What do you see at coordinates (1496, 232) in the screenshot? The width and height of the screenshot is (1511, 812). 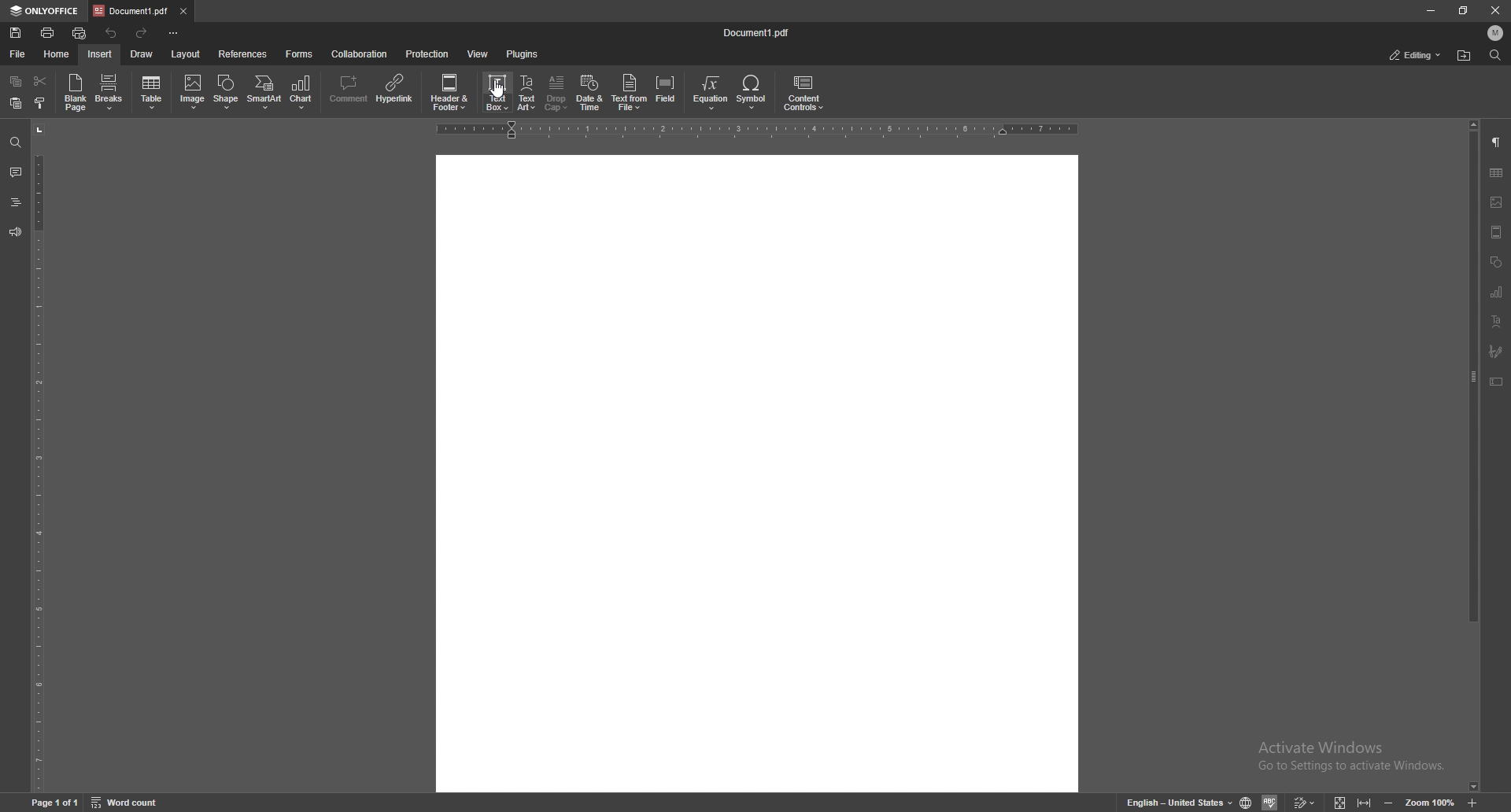 I see `header and footer` at bounding box center [1496, 232].